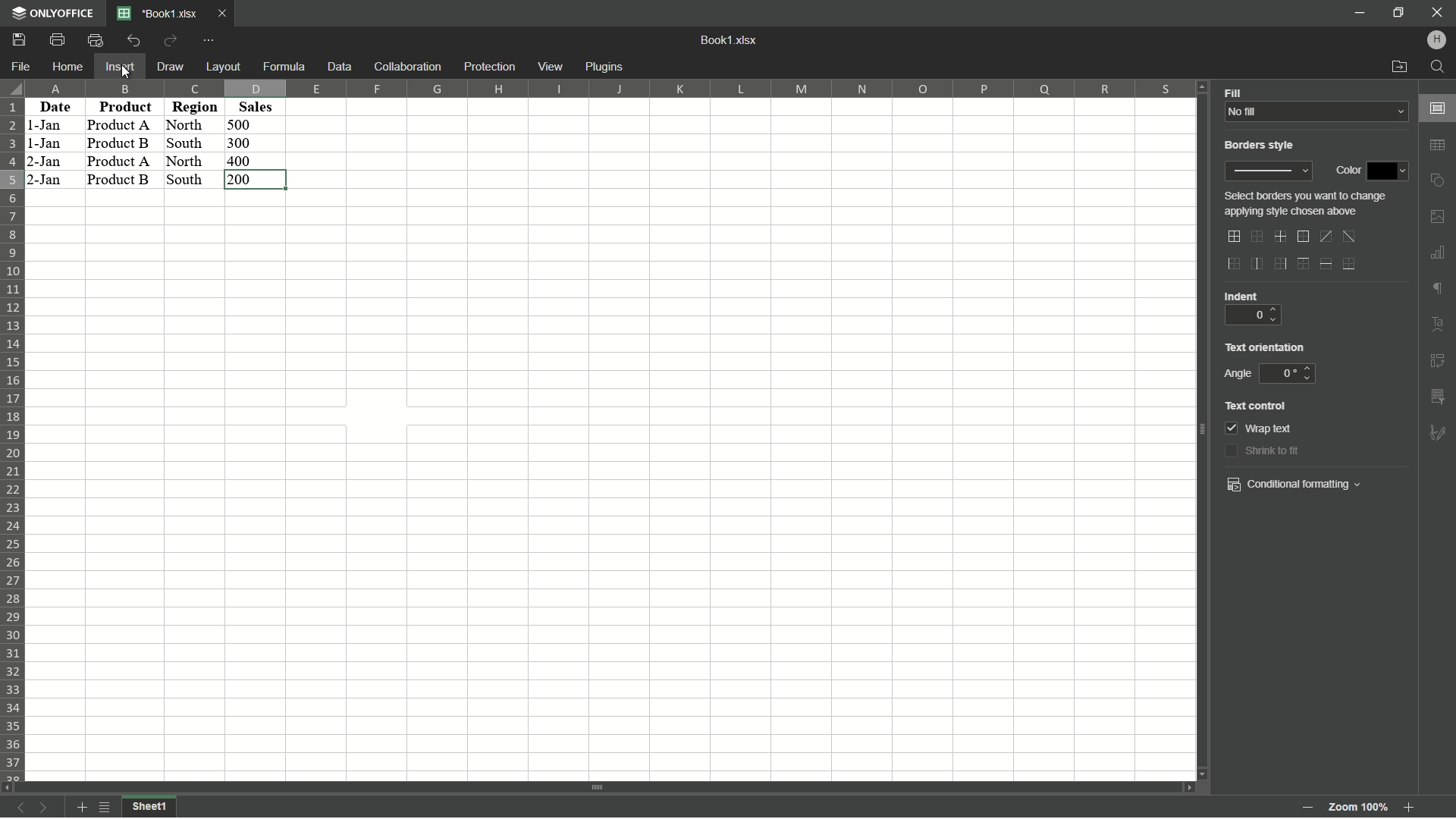 This screenshot has height=819, width=1456. I want to click on Zoom, so click(1410, 810).